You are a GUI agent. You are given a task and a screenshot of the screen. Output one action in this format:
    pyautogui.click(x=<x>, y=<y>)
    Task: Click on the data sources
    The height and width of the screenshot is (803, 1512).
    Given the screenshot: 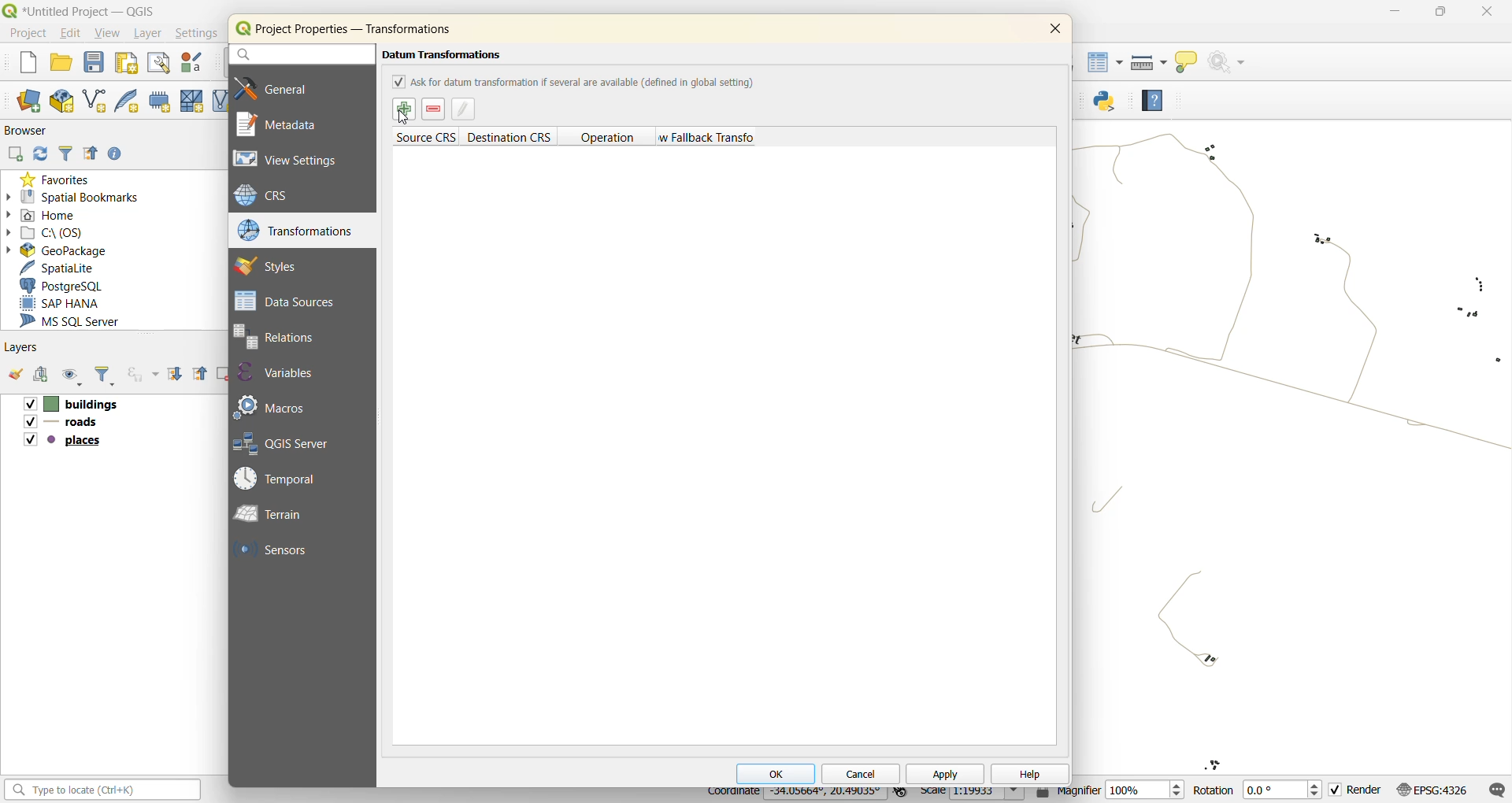 What is the action you would take?
    pyautogui.click(x=288, y=301)
    